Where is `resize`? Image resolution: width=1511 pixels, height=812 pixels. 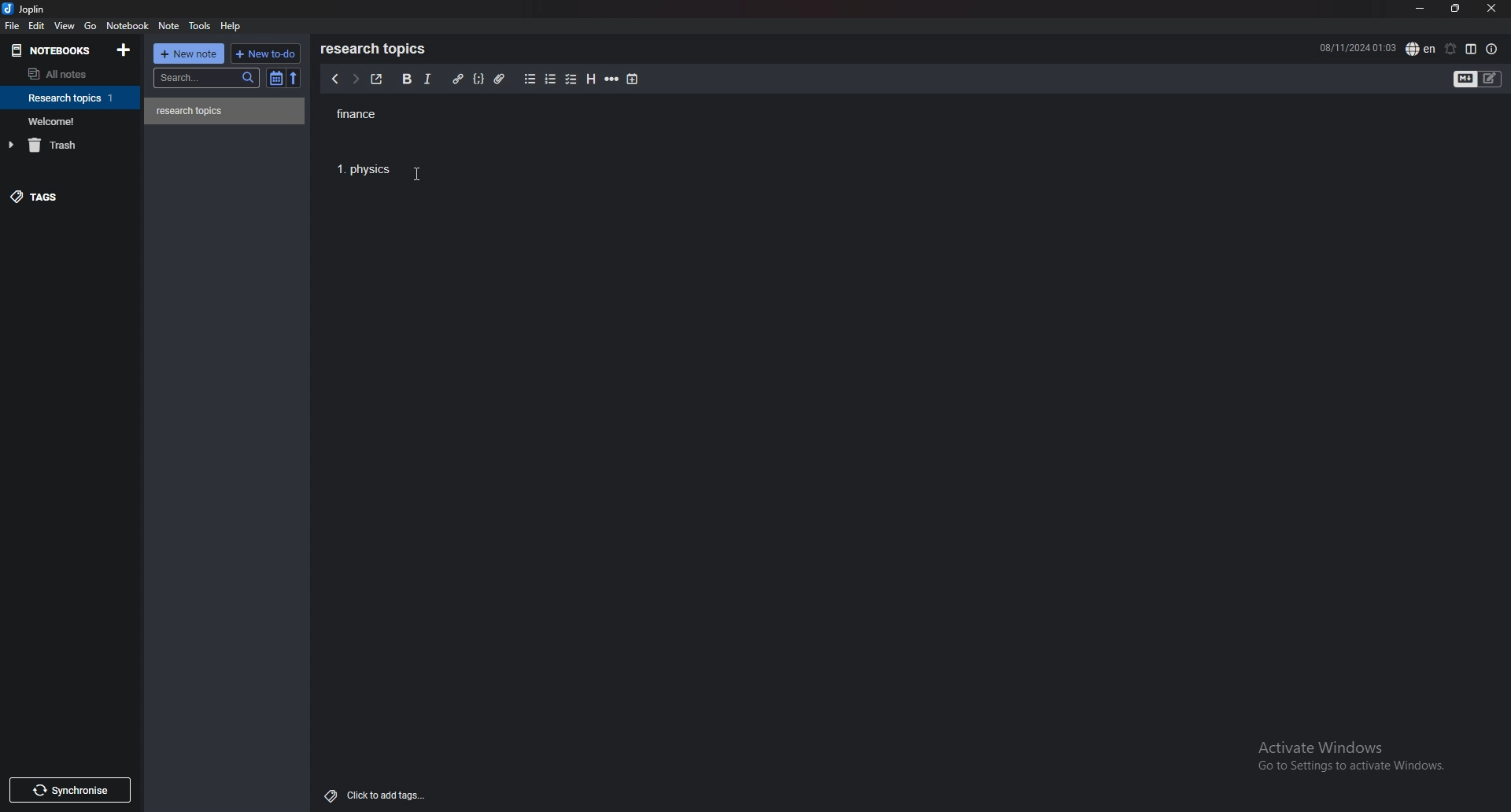 resize is located at coordinates (1454, 8).